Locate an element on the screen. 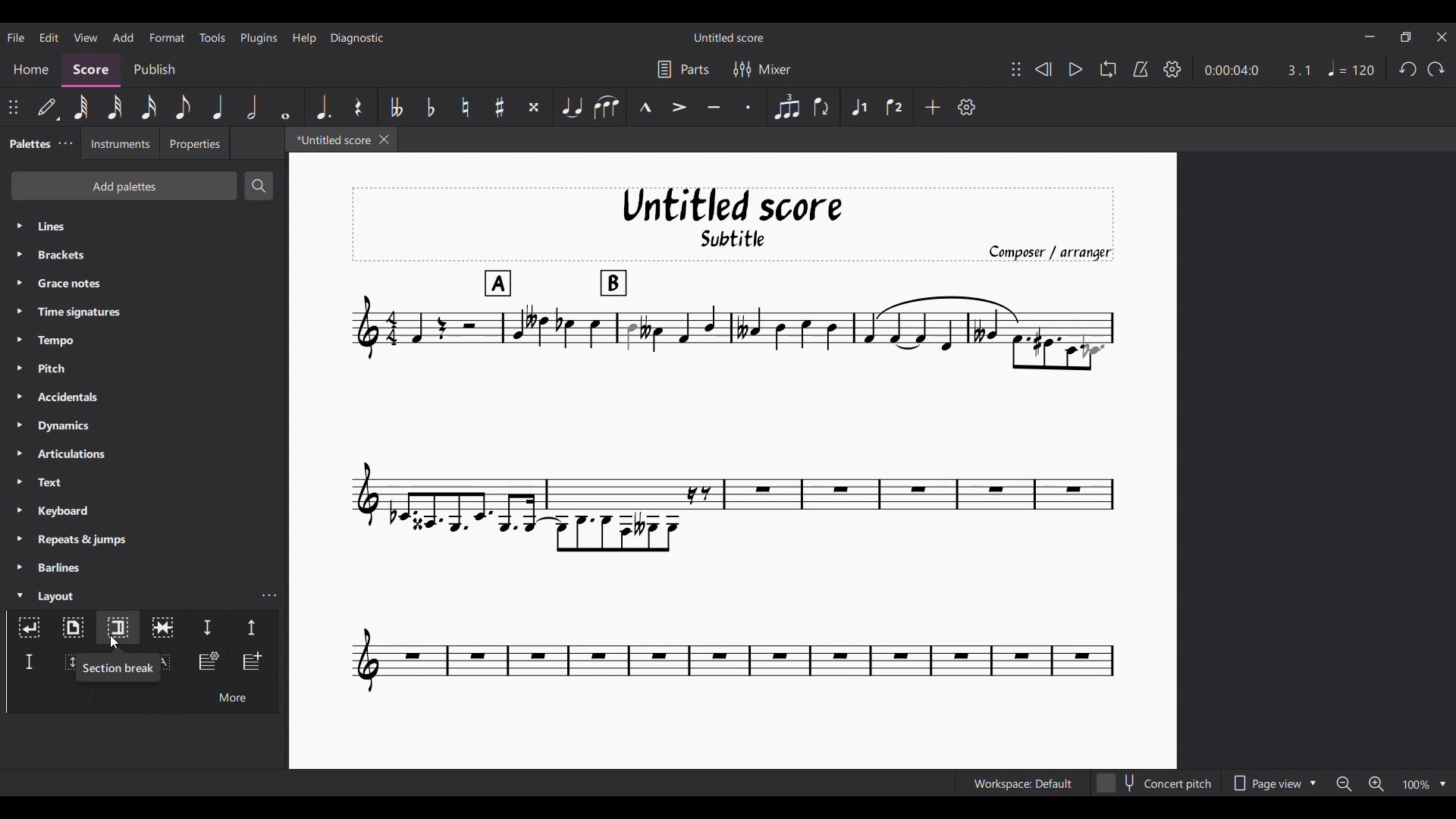  Keep measures on the same system is located at coordinates (162, 627).